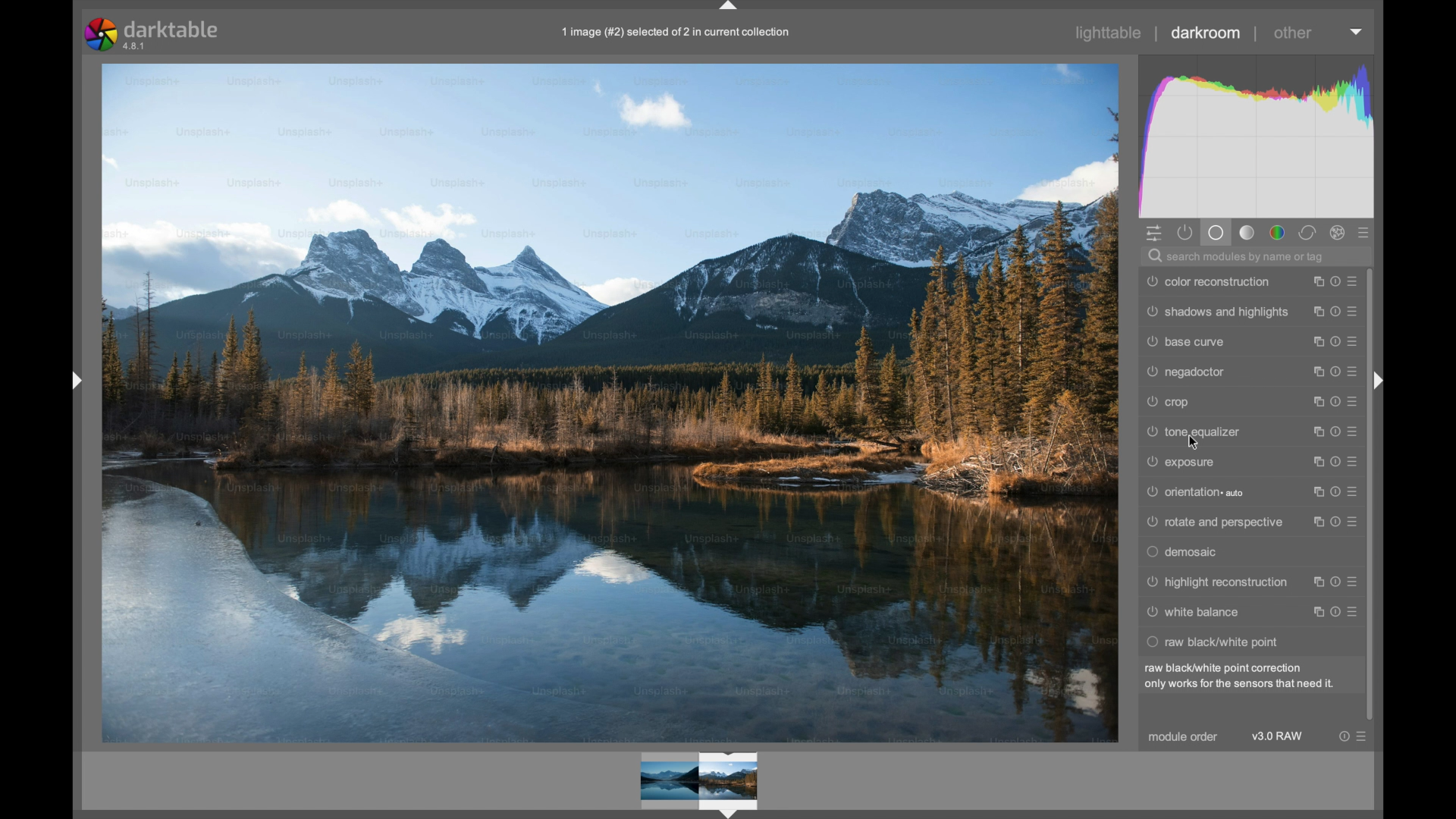  Describe the element at coordinates (1382, 381) in the screenshot. I see `drag handle` at that location.